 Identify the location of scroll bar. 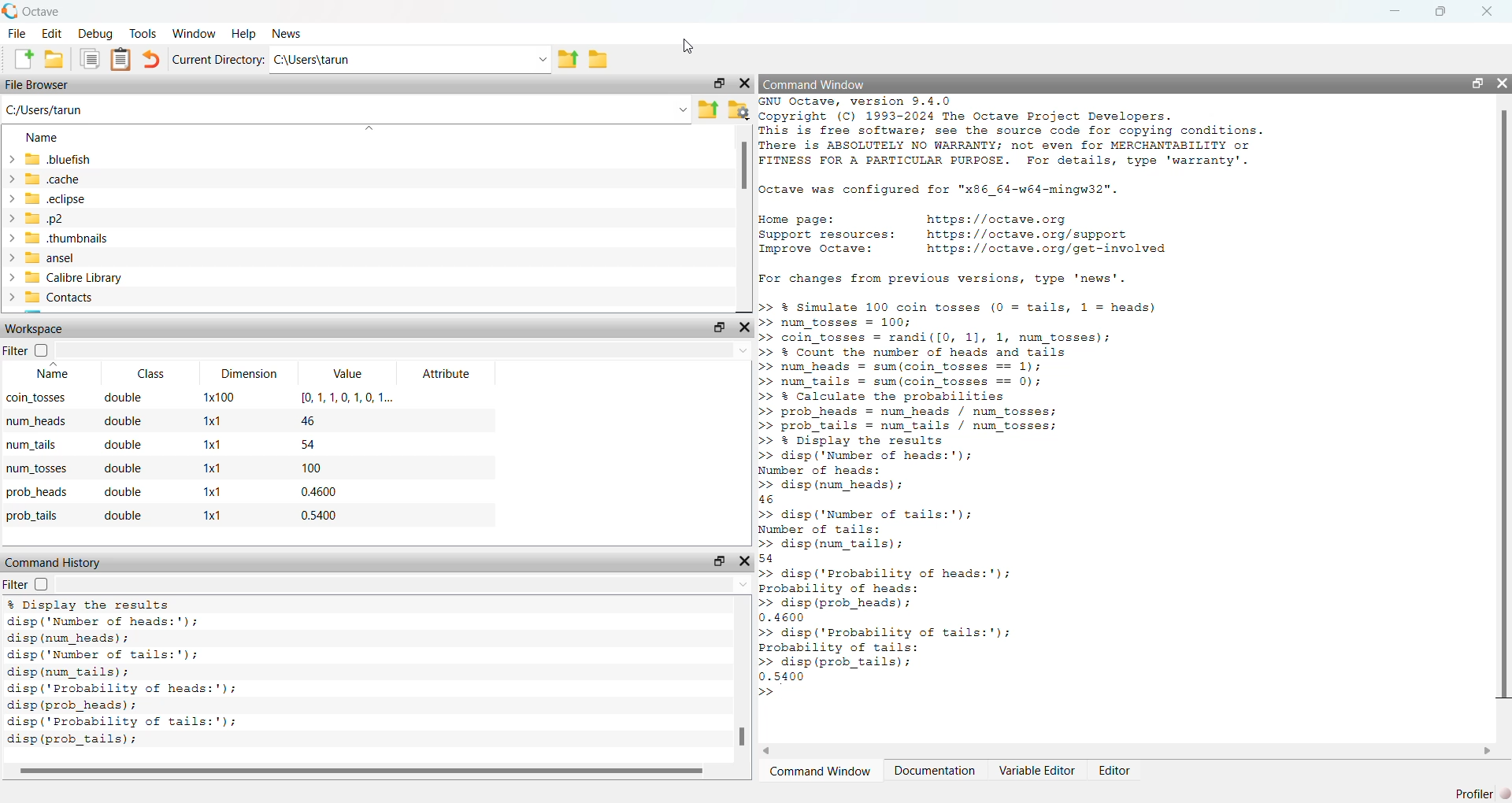
(741, 168).